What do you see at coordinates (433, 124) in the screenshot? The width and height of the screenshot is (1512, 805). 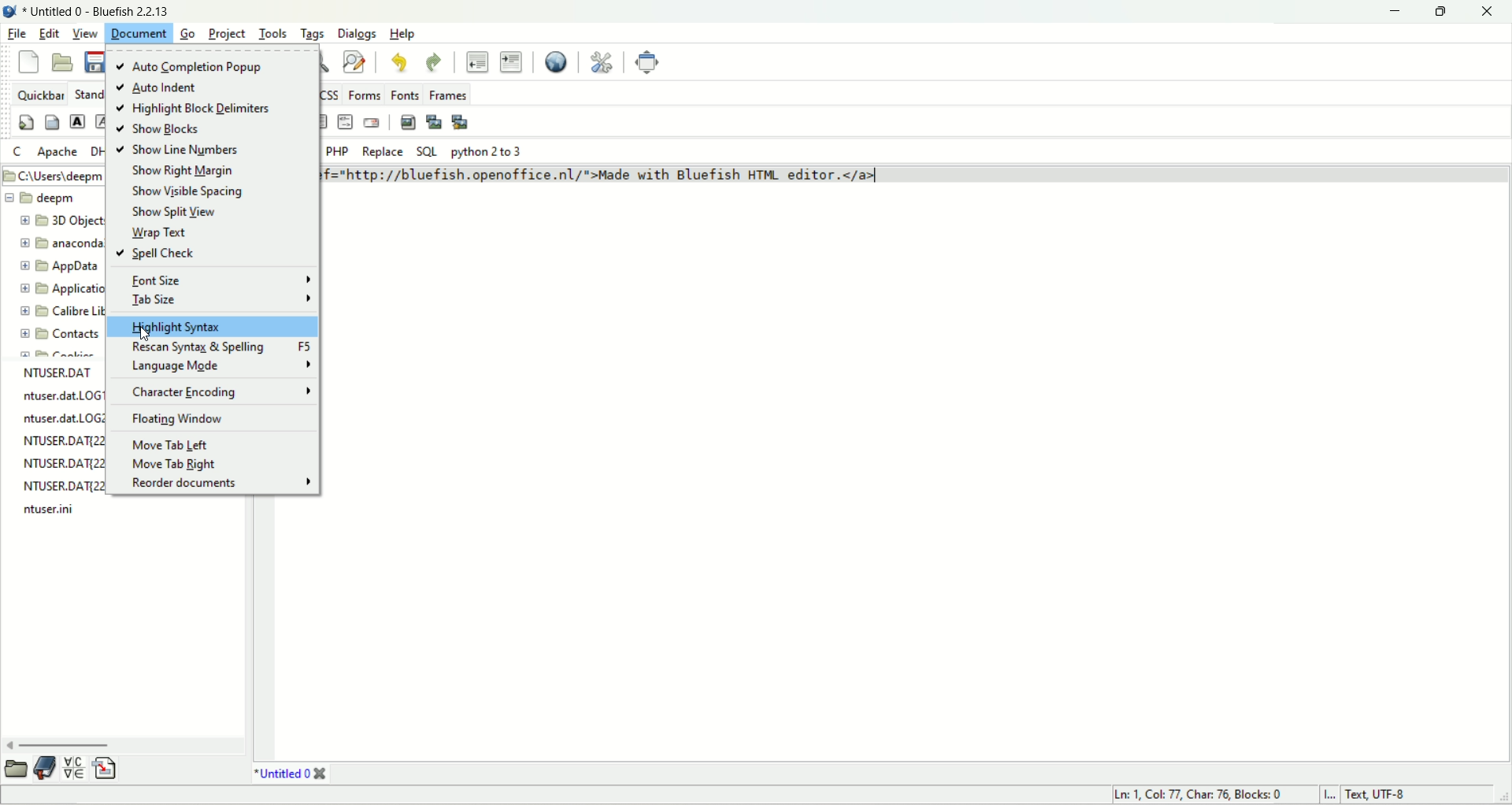 I see `insert thumbnail` at bounding box center [433, 124].